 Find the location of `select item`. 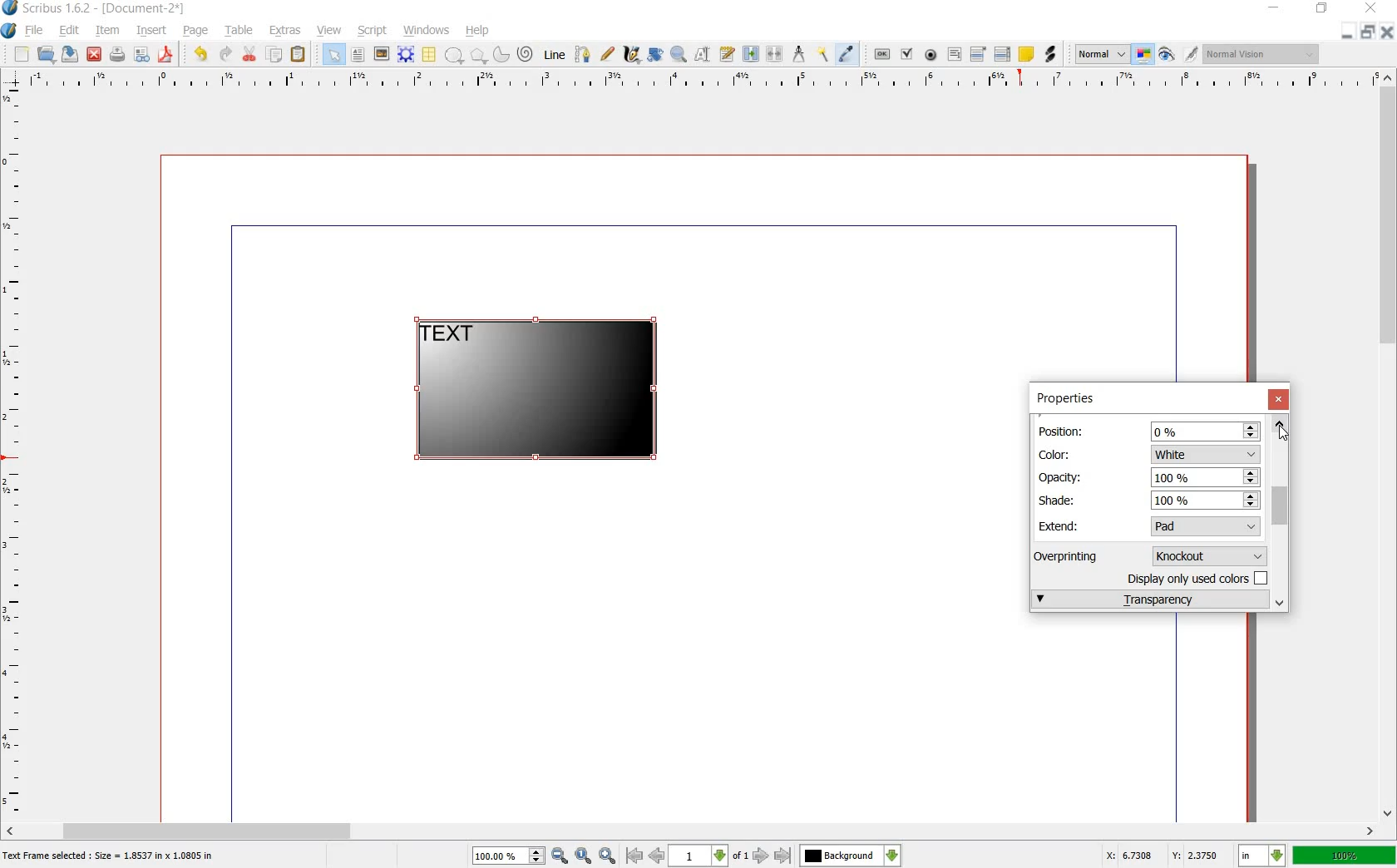

select item is located at coordinates (333, 54).